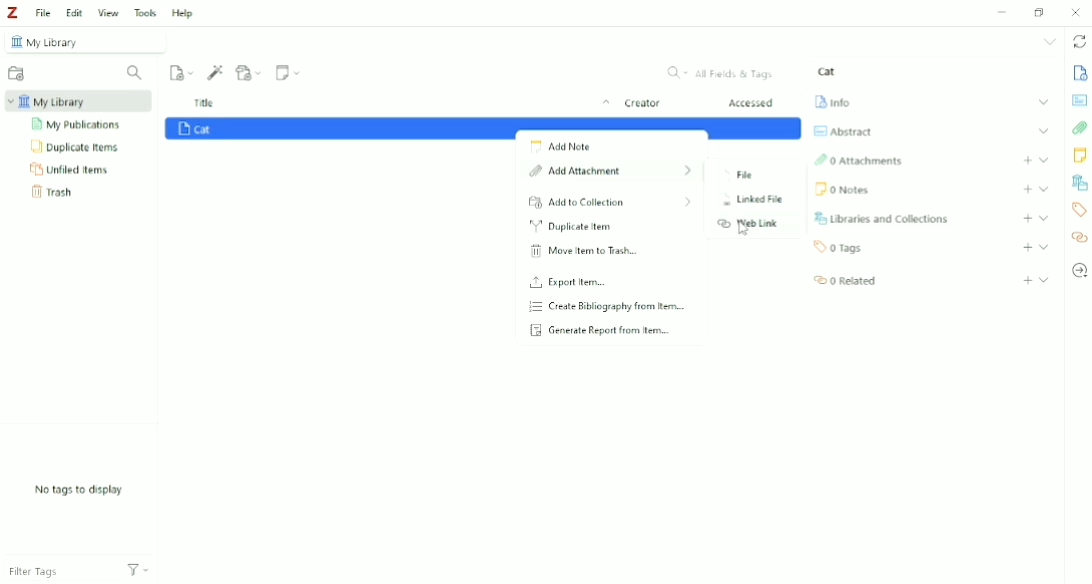  What do you see at coordinates (216, 72) in the screenshot?
I see `Add Item (s) by Identifier` at bounding box center [216, 72].